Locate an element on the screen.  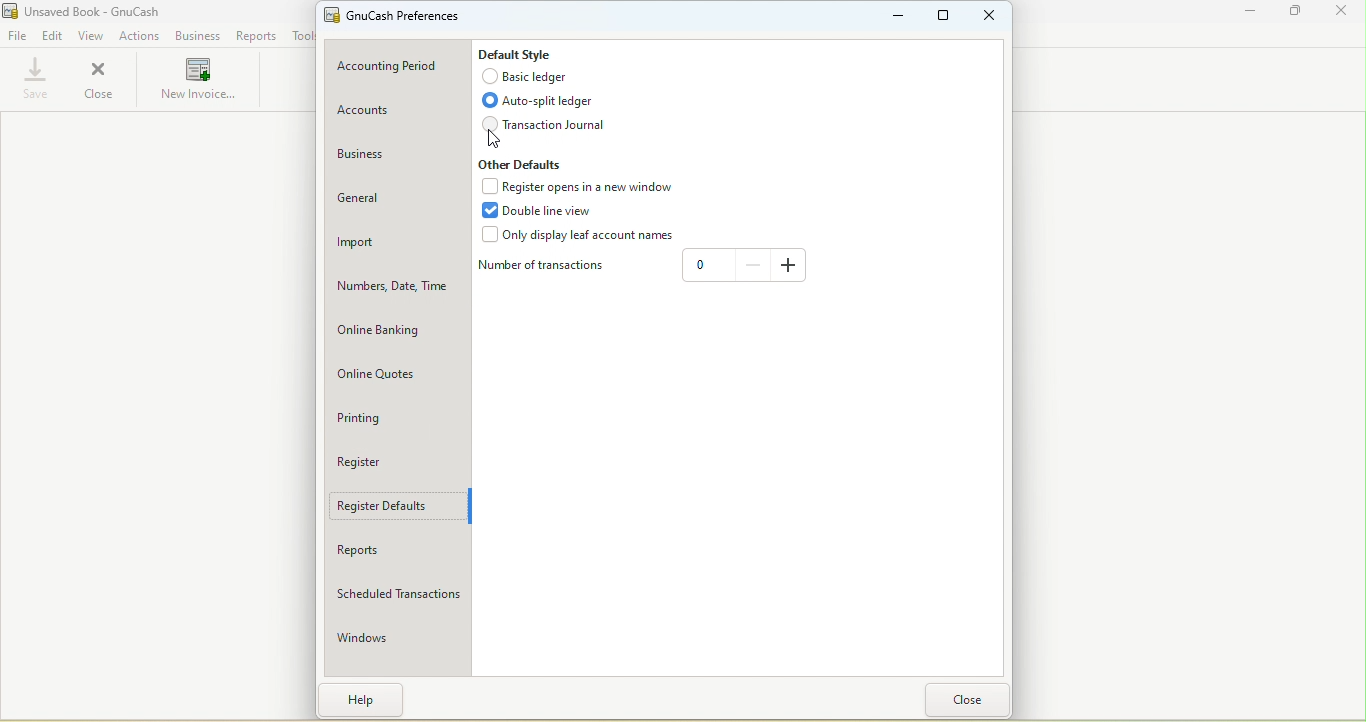
Import is located at coordinates (392, 245).